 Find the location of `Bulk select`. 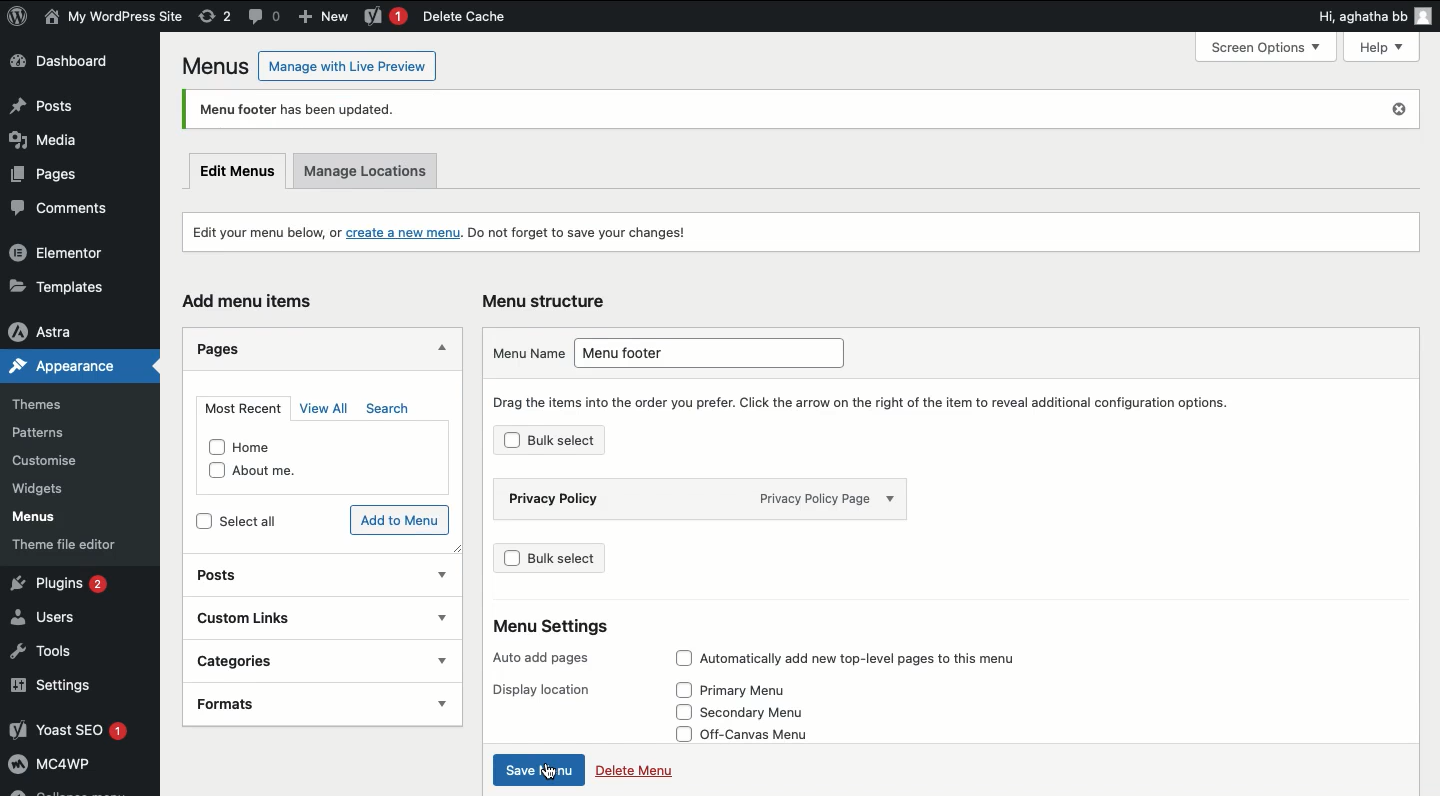

Bulk select is located at coordinates (585, 562).